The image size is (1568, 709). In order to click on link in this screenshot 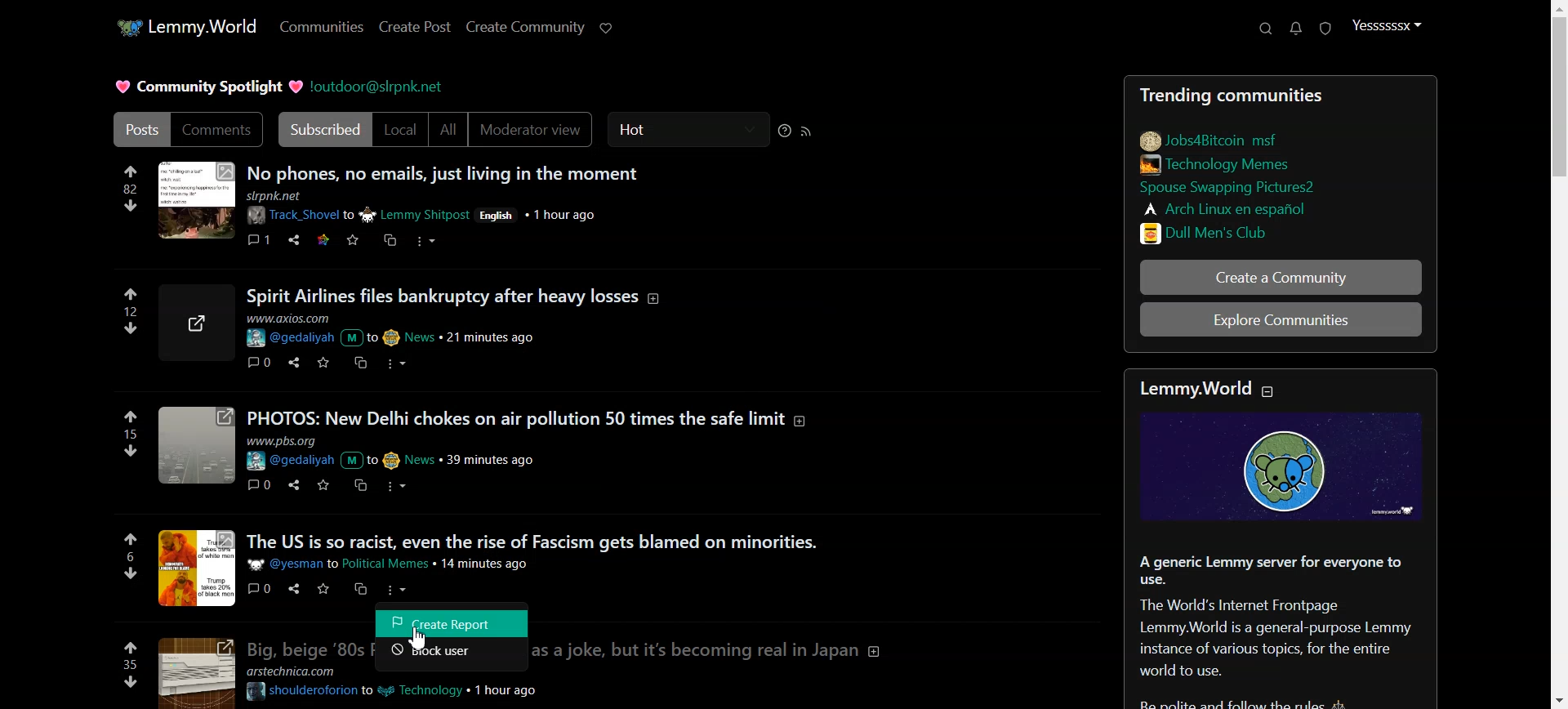, I will do `click(1222, 163)`.